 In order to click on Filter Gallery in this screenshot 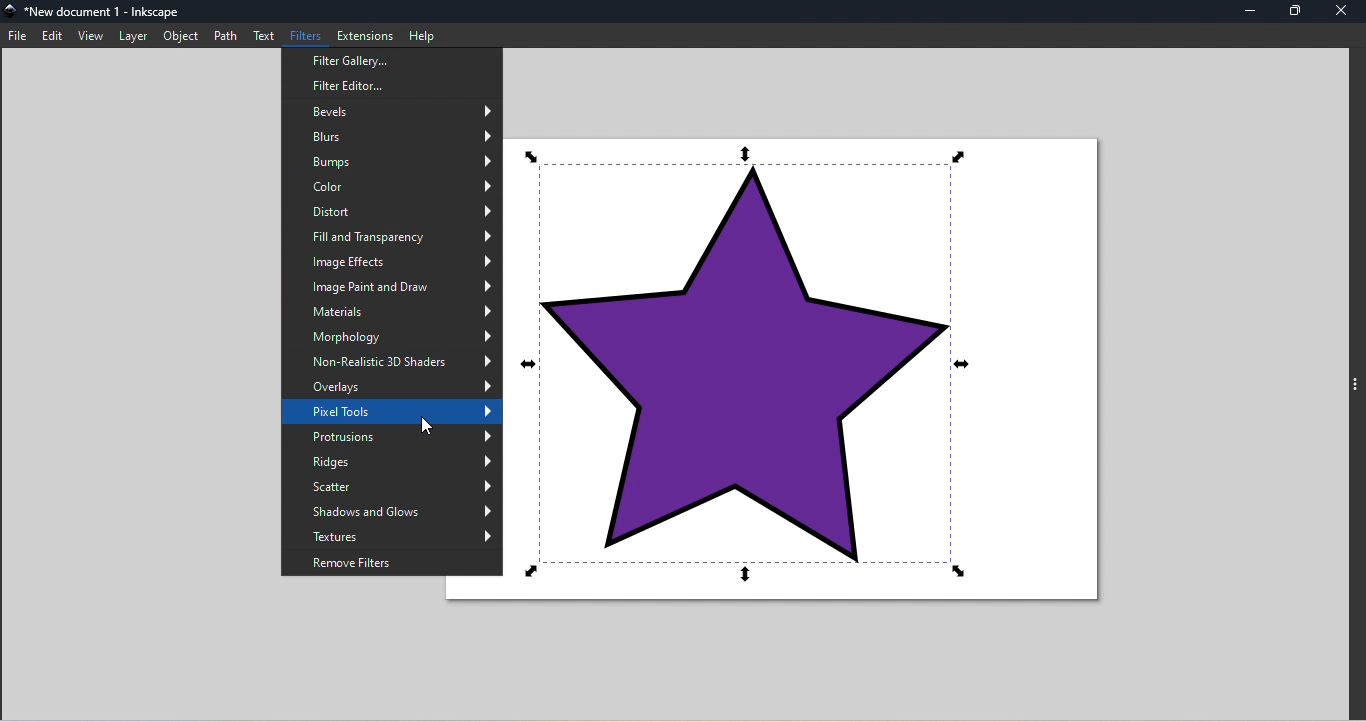, I will do `click(392, 58)`.